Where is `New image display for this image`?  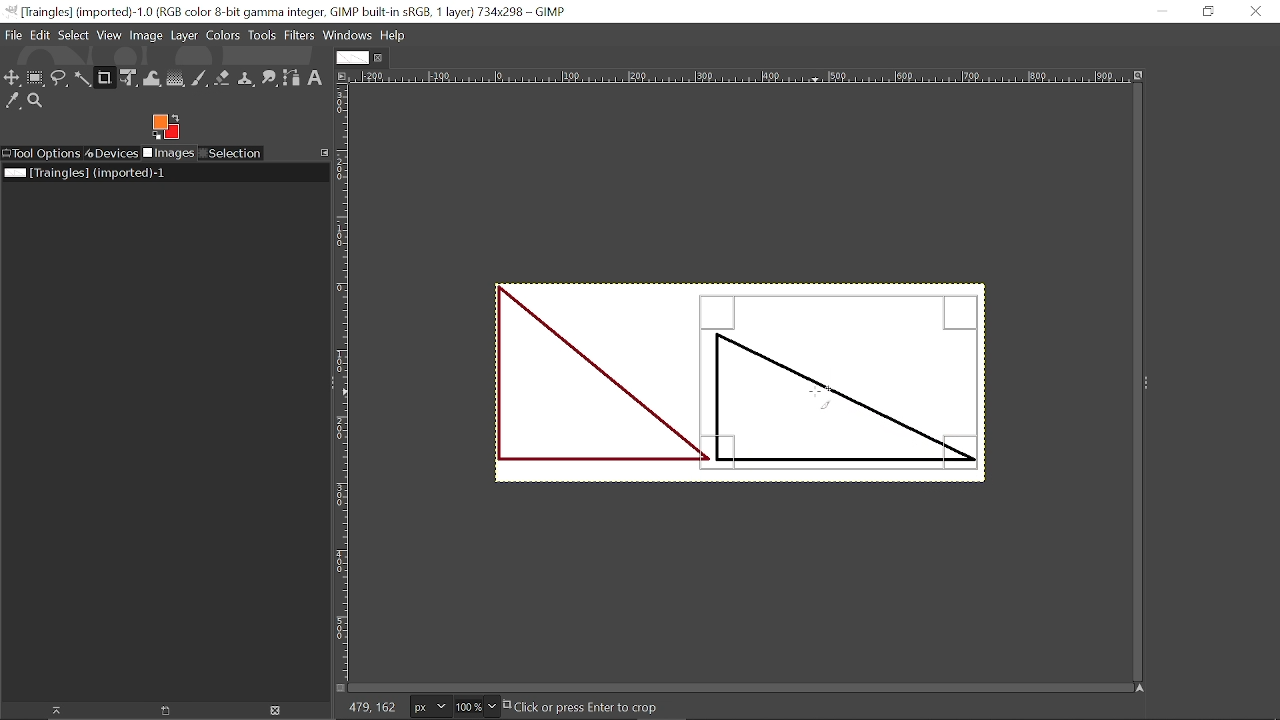 New image display for this image is located at coordinates (166, 711).